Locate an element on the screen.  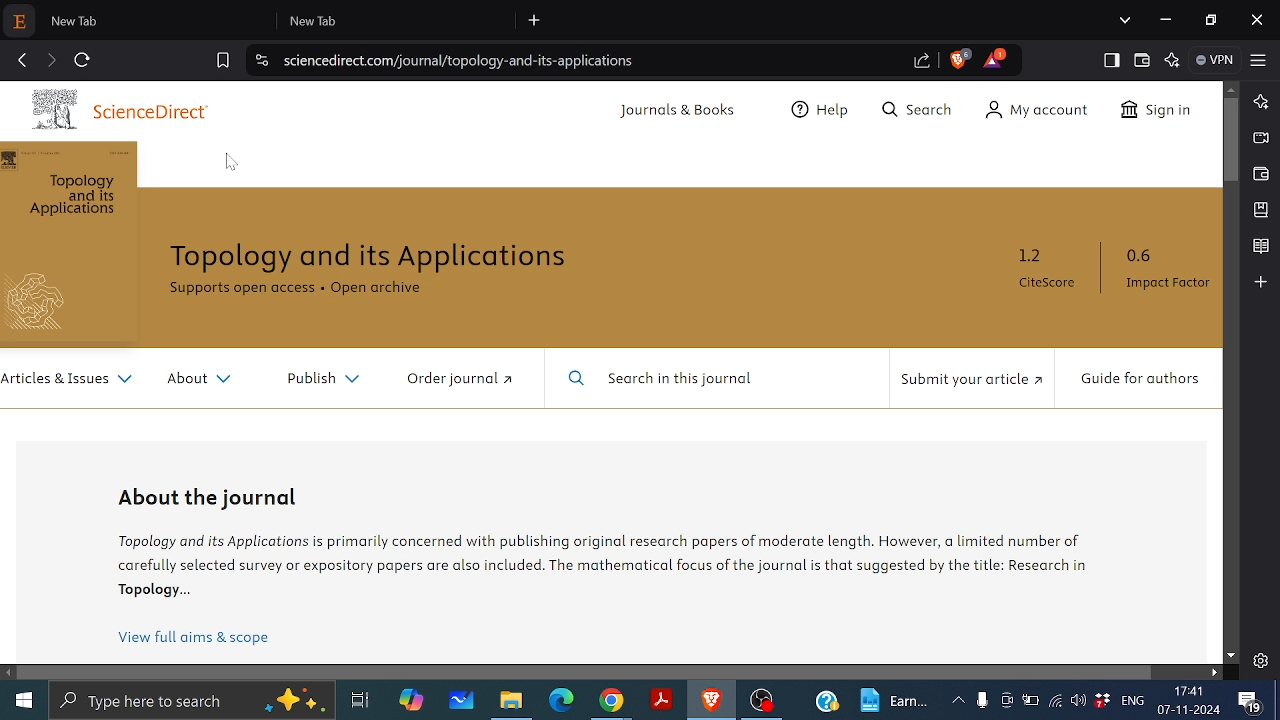
Journals & Books is located at coordinates (680, 111).